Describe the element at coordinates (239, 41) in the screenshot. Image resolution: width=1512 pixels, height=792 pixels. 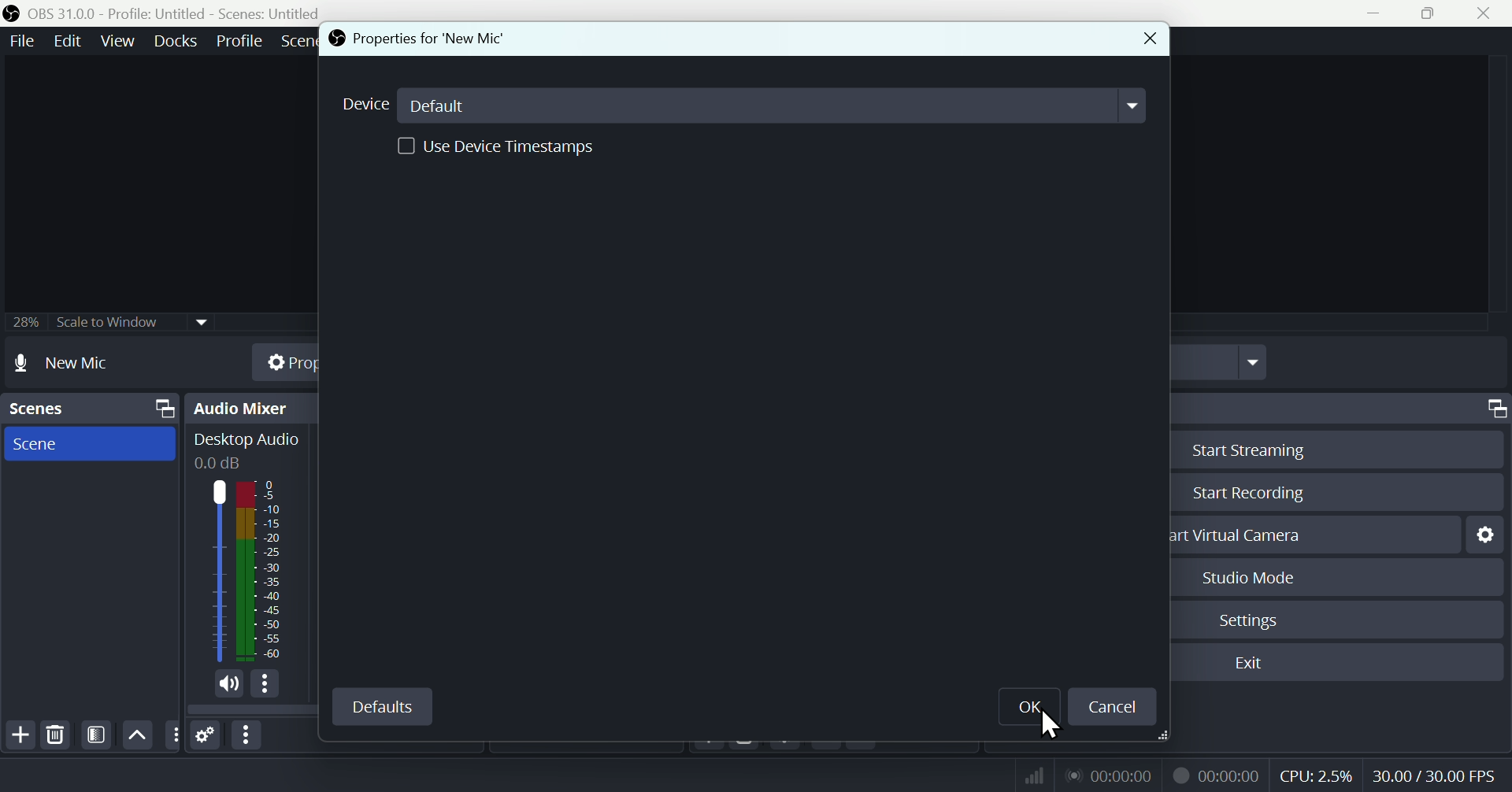
I see `Profile` at that location.